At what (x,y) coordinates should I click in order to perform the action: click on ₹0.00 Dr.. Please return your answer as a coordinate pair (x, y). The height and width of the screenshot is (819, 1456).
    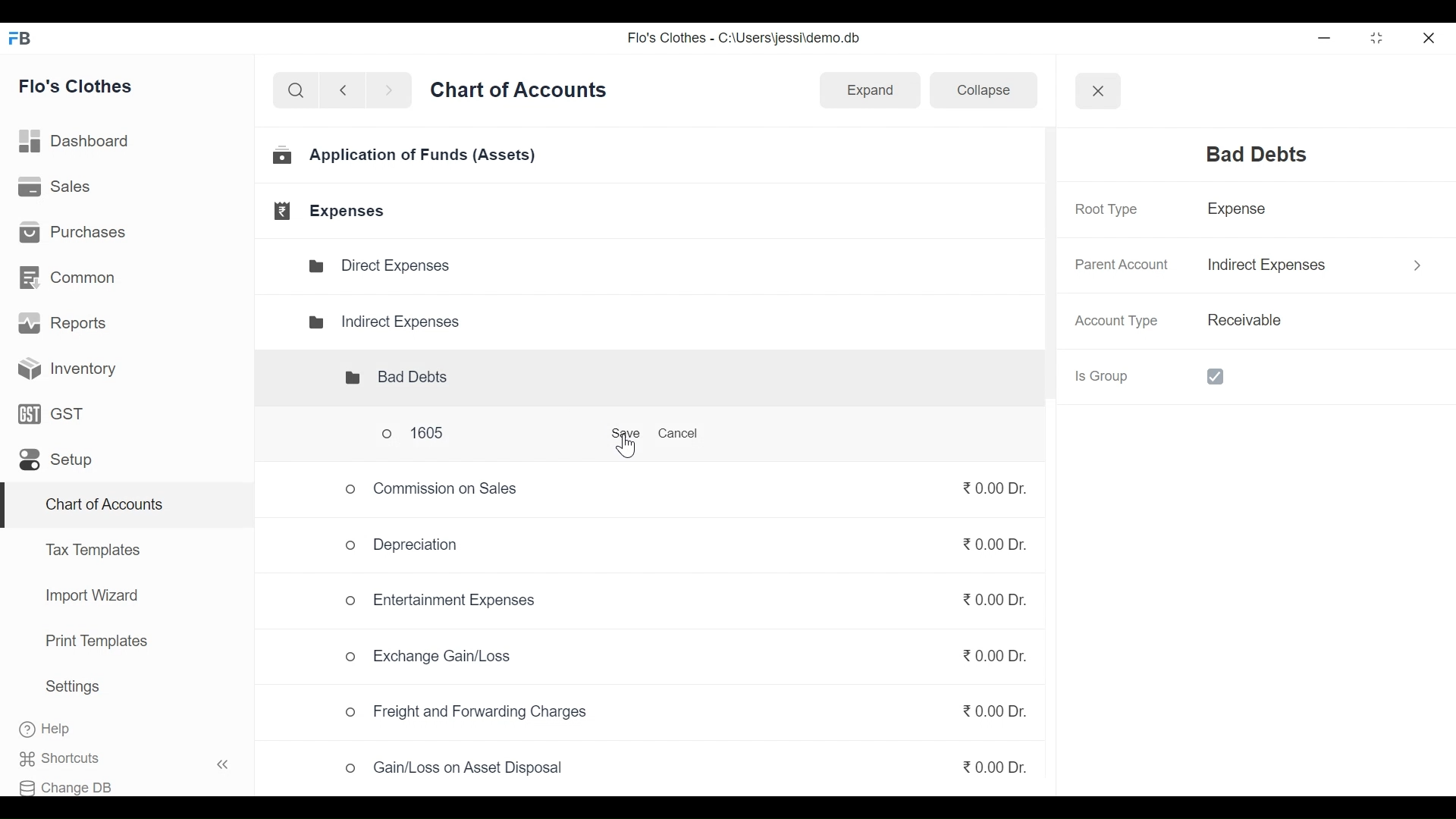
    Looking at the image, I should click on (990, 550).